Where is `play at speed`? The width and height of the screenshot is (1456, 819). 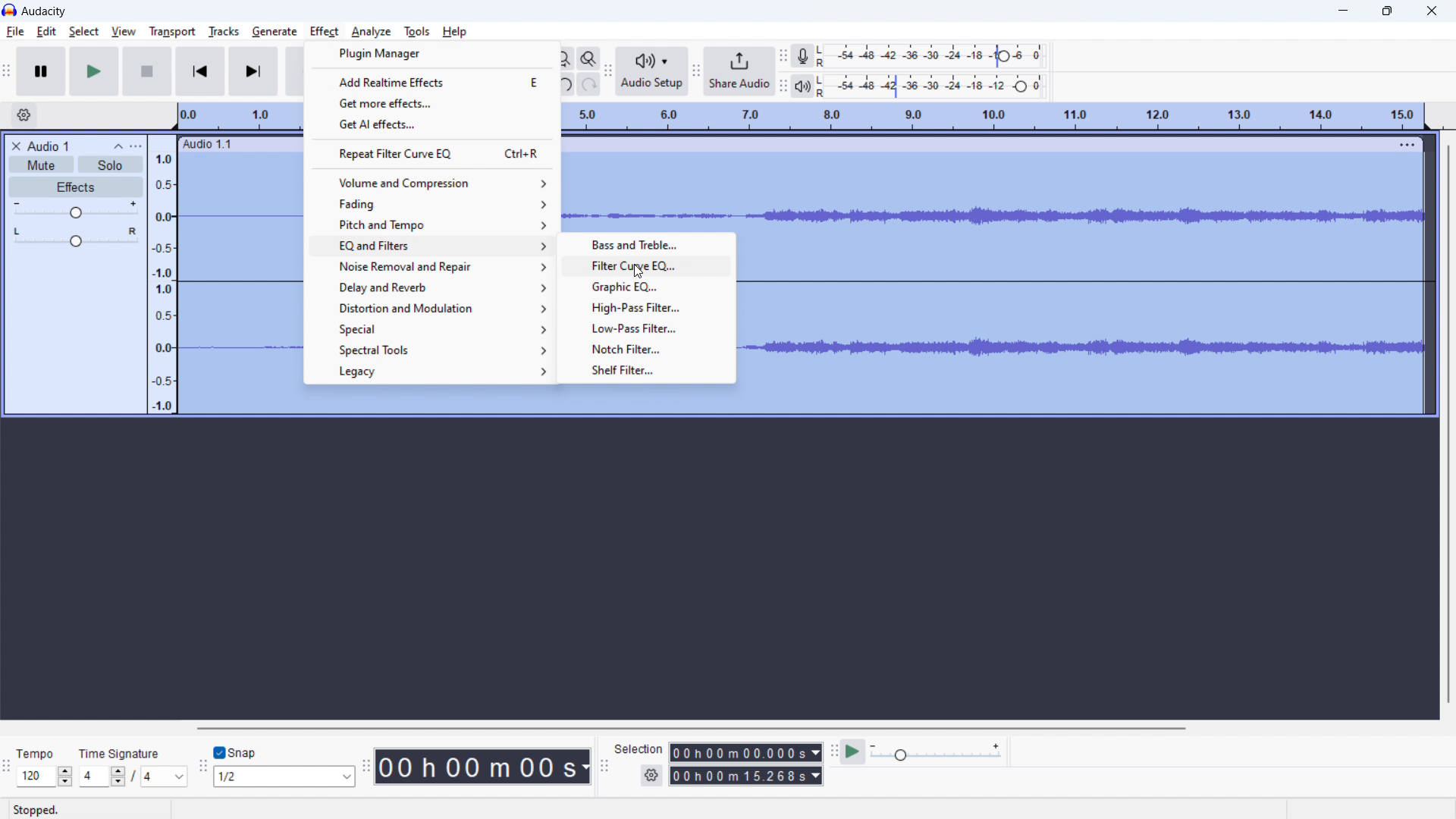
play at speed is located at coordinates (854, 752).